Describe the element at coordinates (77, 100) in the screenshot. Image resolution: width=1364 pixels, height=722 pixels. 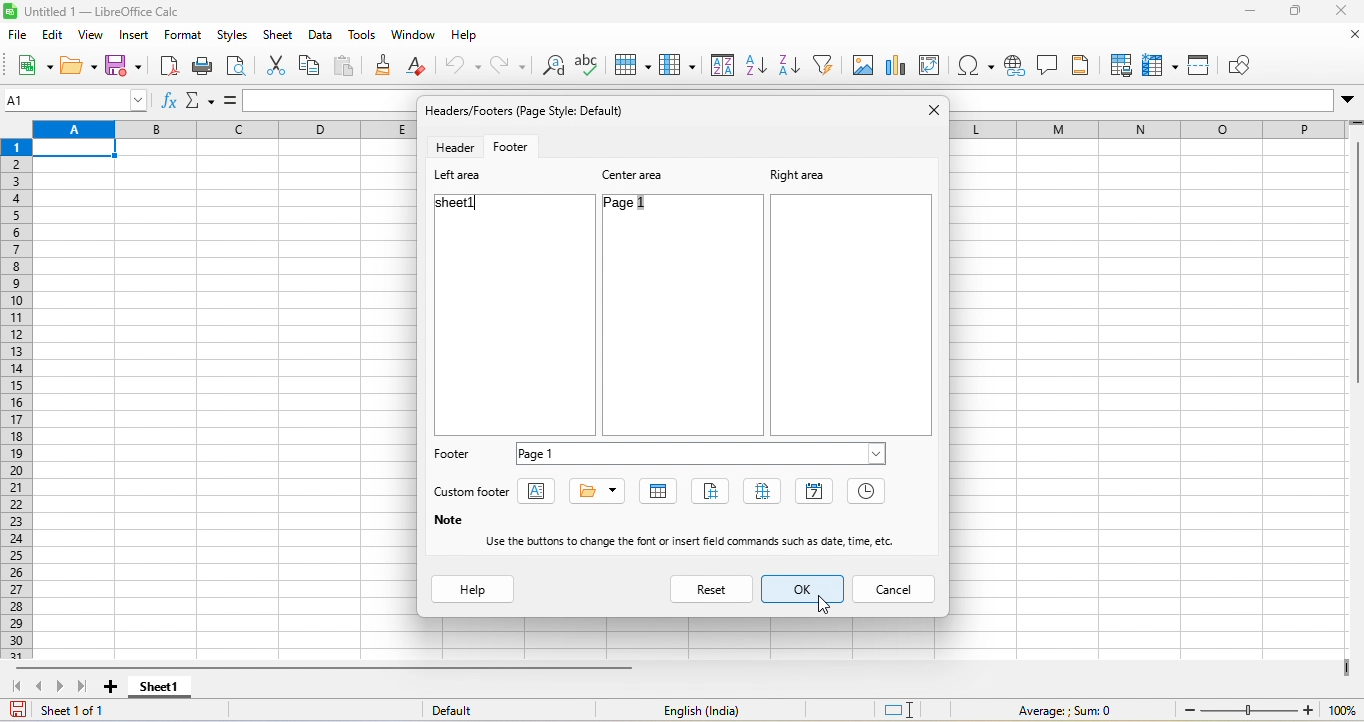
I see `name box` at that location.